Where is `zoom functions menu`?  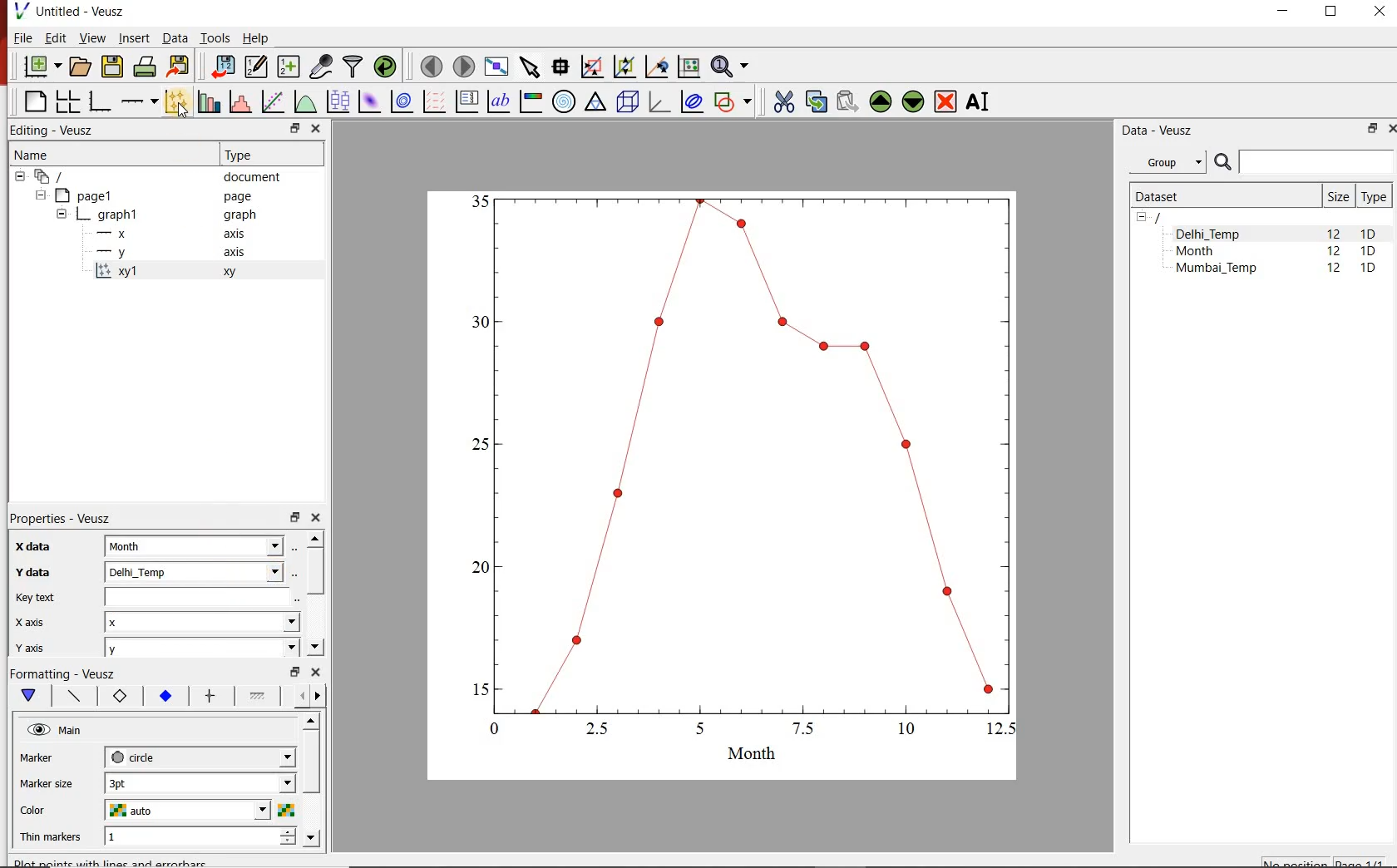
zoom functions menu is located at coordinates (732, 67).